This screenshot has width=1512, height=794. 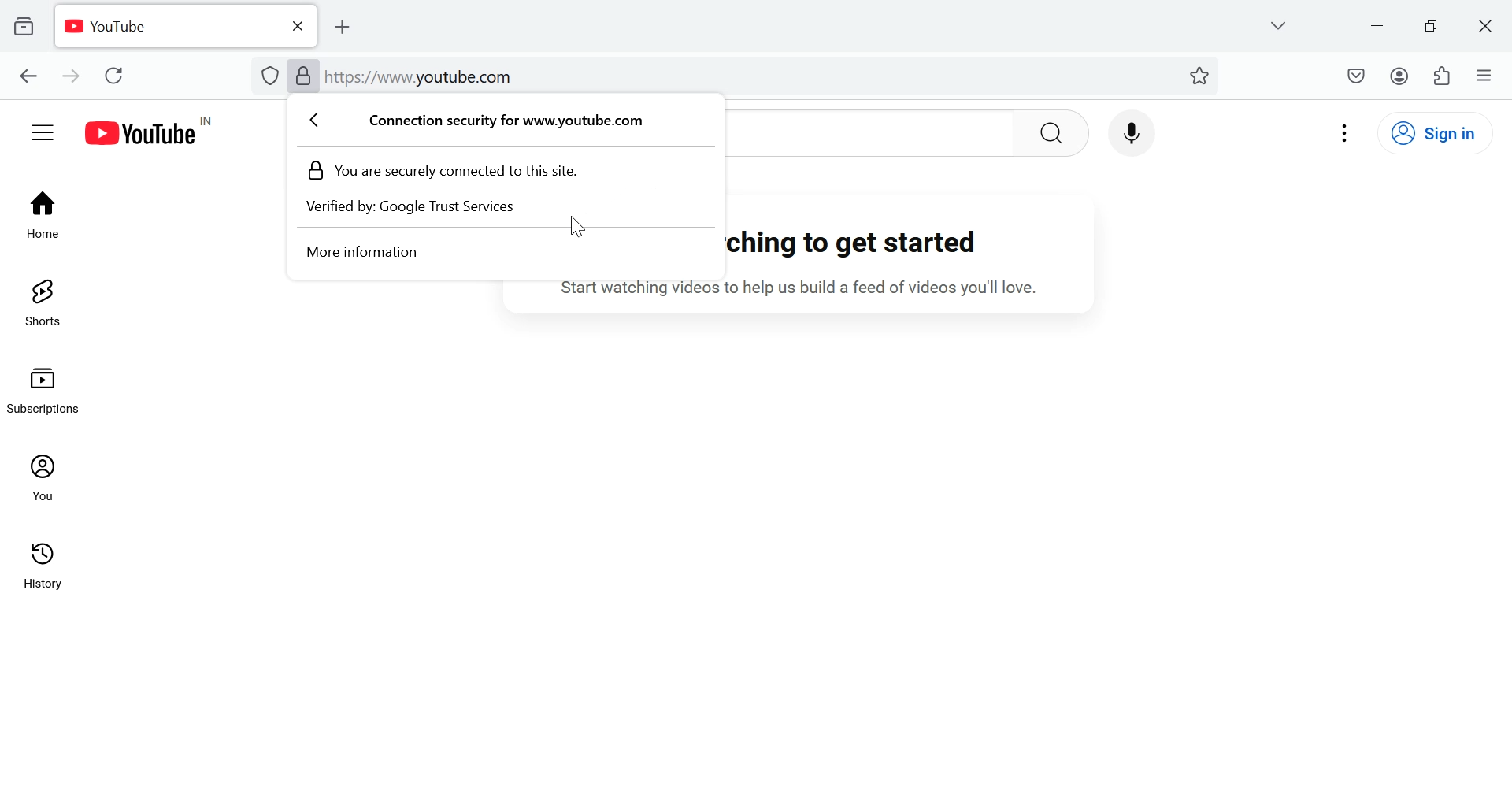 What do you see at coordinates (350, 27) in the screenshot?
I see `New tab` at bounding box center [350, 27].